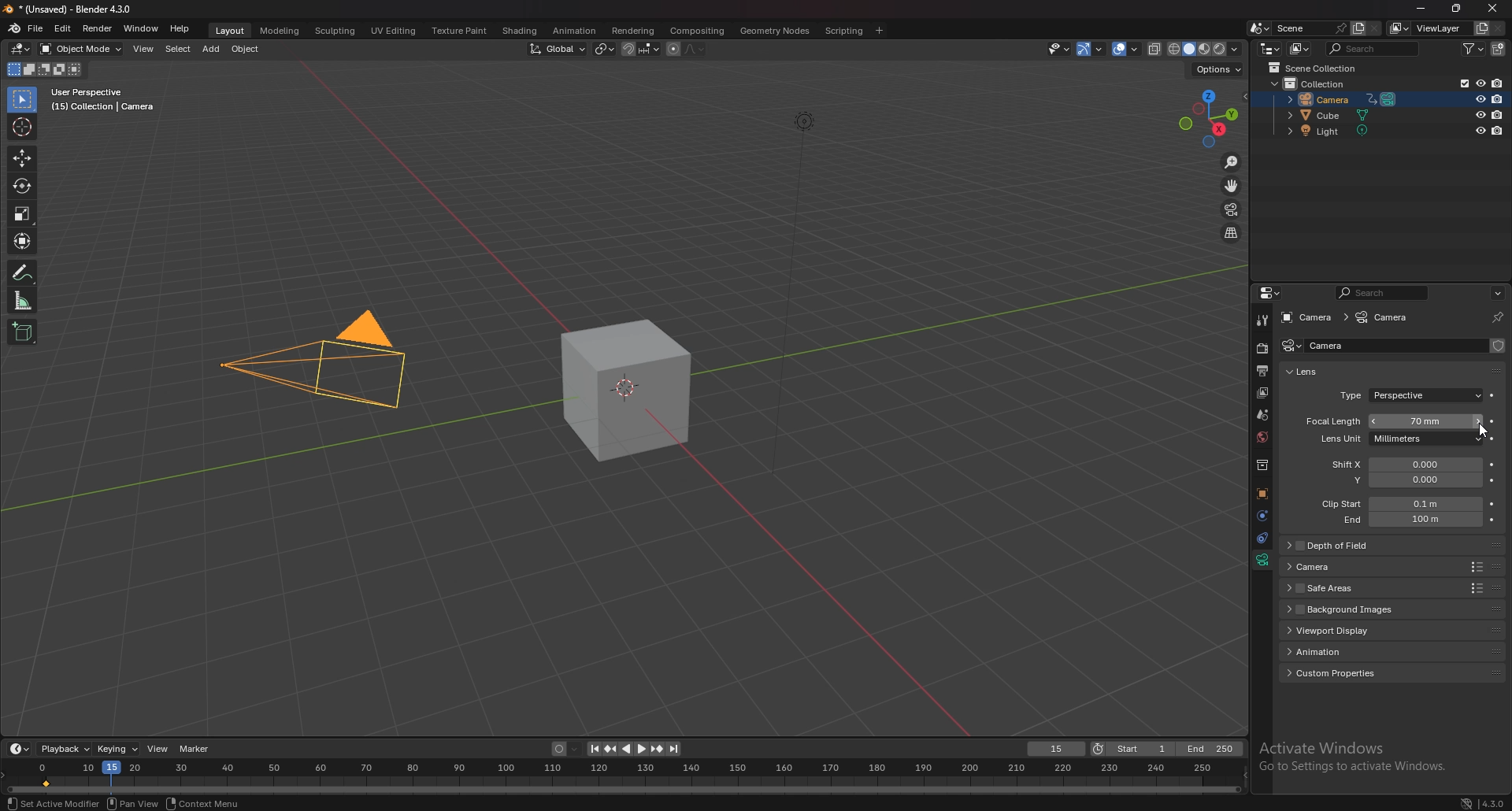 The height and width of the screenshot is (811, 1512). What do you see at coordinates (1458, 82) in the screenshot?
I see `exclude from viewlayer` at bounding box center [1458, 82].